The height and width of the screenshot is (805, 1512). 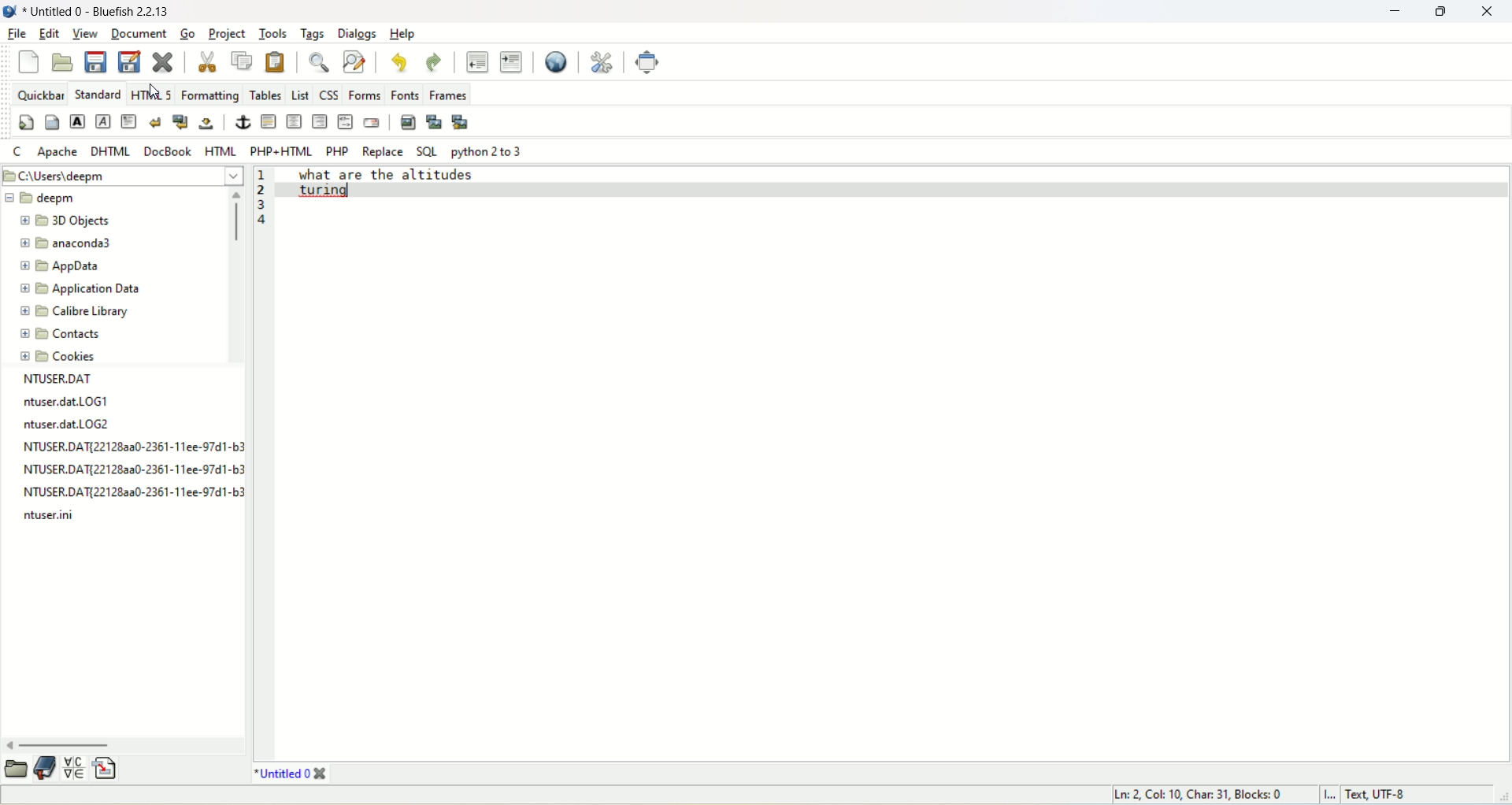 I want to click on cookies, so click(x=61, y=356).